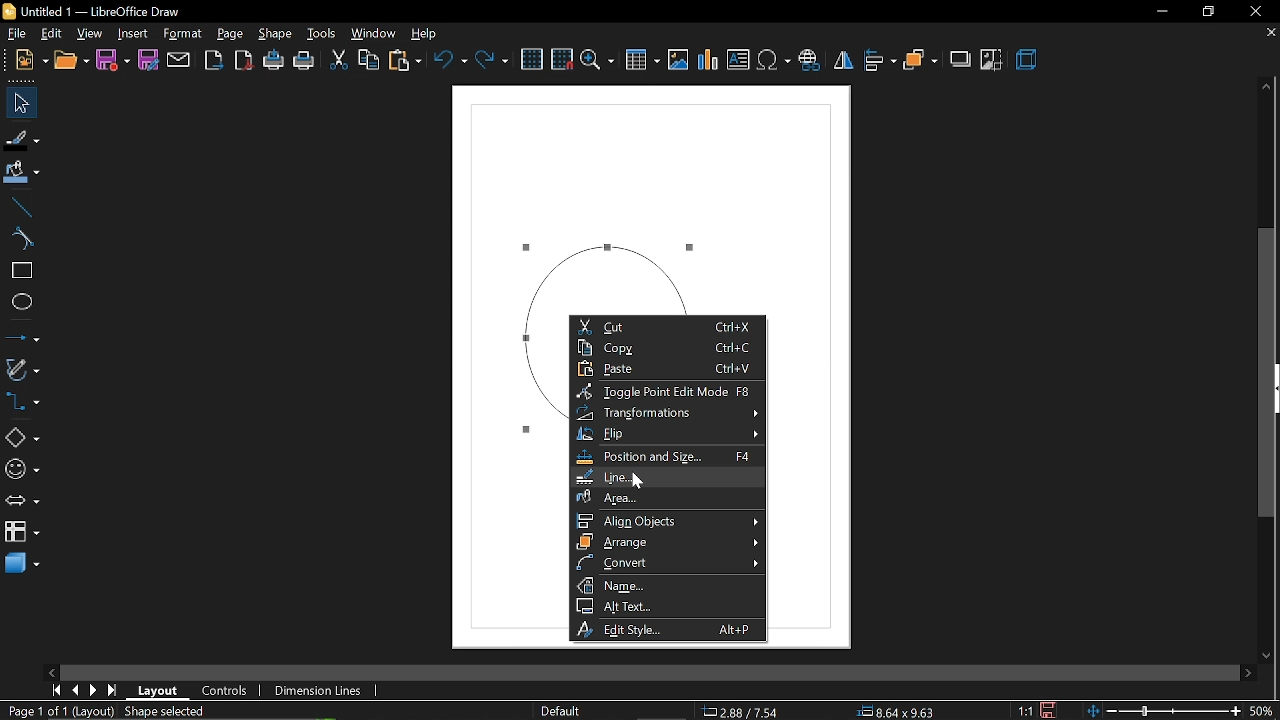 Image resolution: width=1280 pixels, height=720 pixels. What do you see at coordinates (77, 691) in the screenshot?
I see `previous page` at bounding box center [77, 691].